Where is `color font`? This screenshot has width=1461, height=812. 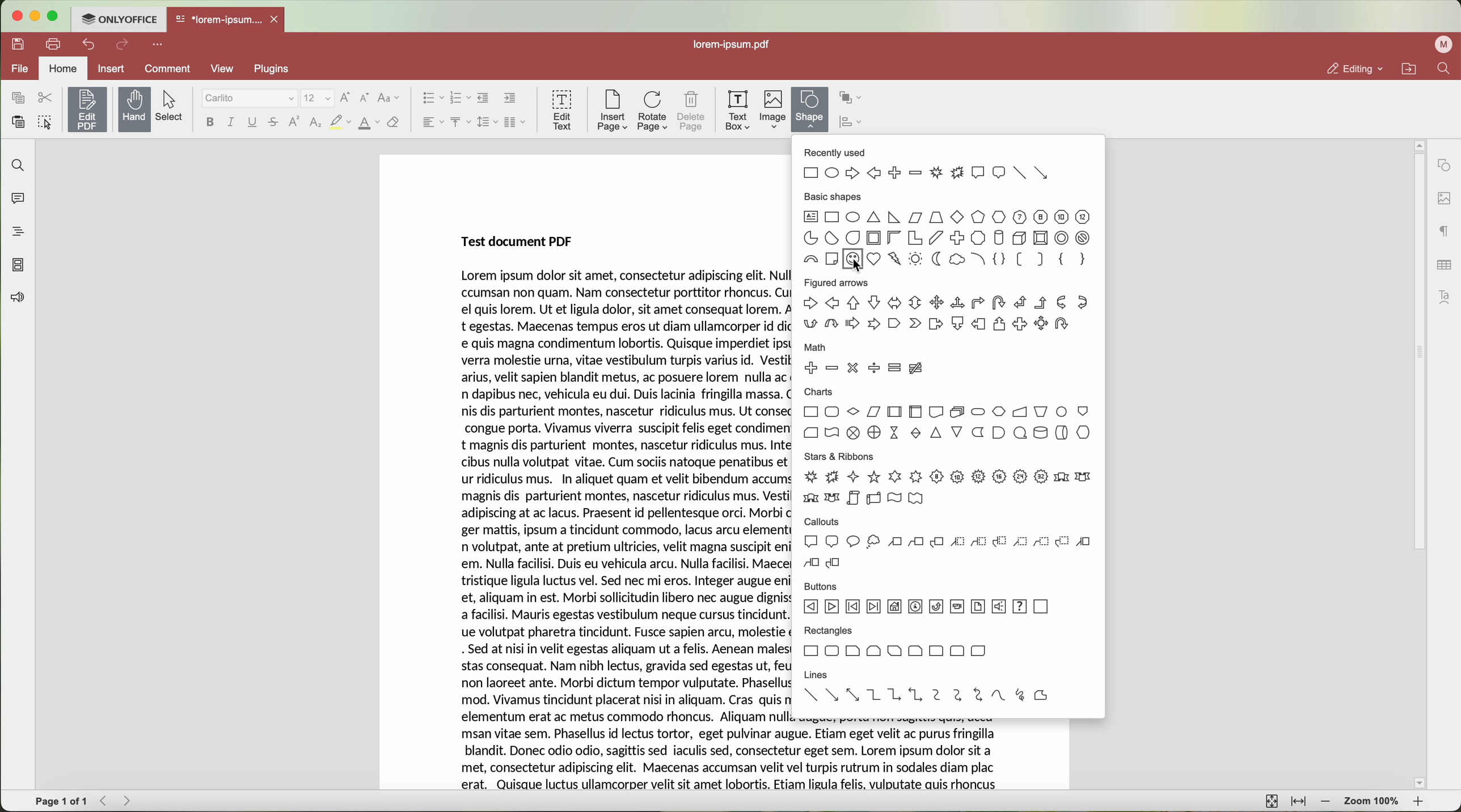 color font is located at coordinates (369, 123).